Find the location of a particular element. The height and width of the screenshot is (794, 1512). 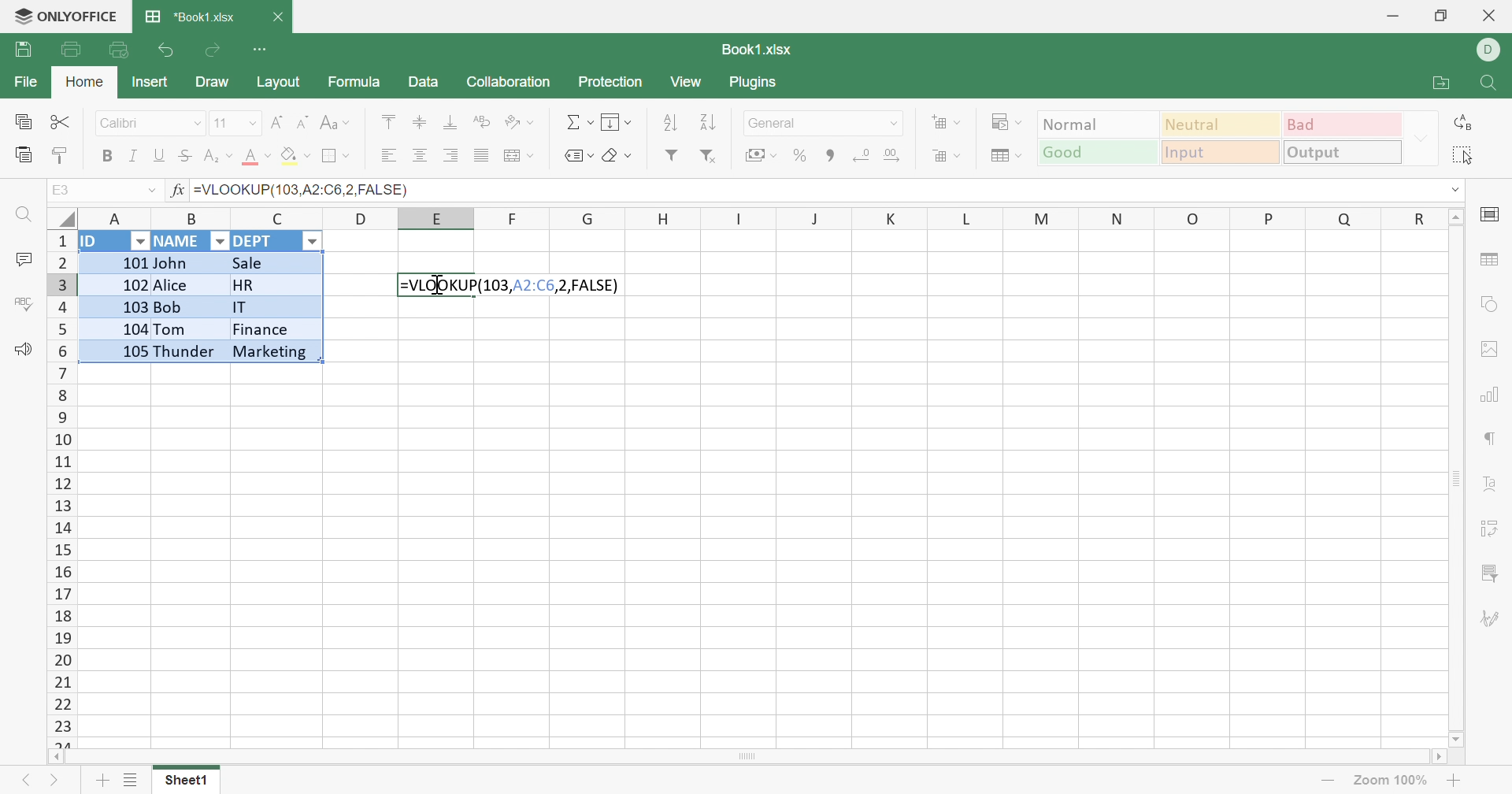

Output is located at coordinates (1340, 153).